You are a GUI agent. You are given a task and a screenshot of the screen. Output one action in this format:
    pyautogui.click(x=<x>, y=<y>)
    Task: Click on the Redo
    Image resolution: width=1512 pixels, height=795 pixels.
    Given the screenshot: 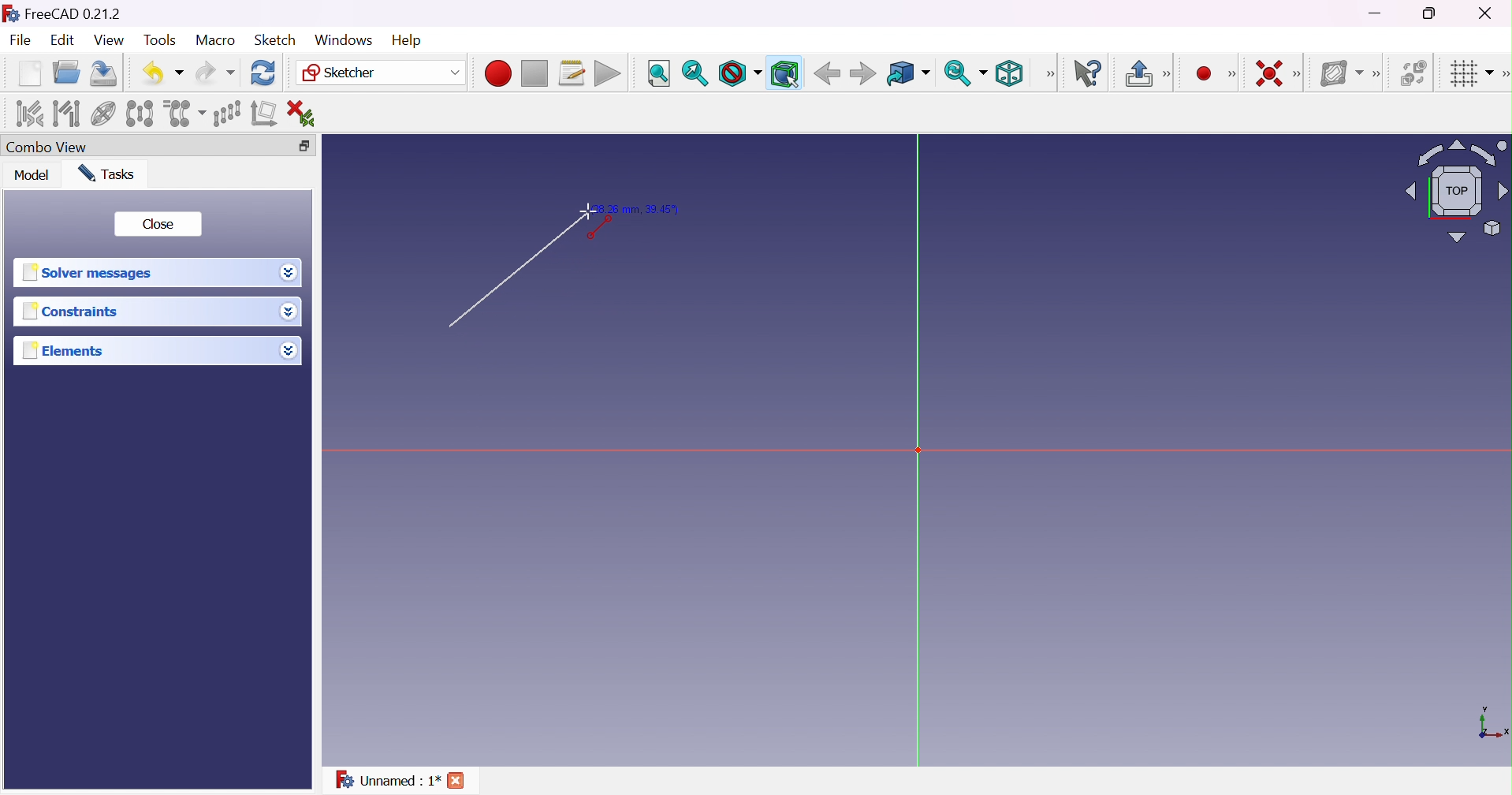 What is the action you would take?
    pyautogui.click(x=214, y=73)
    